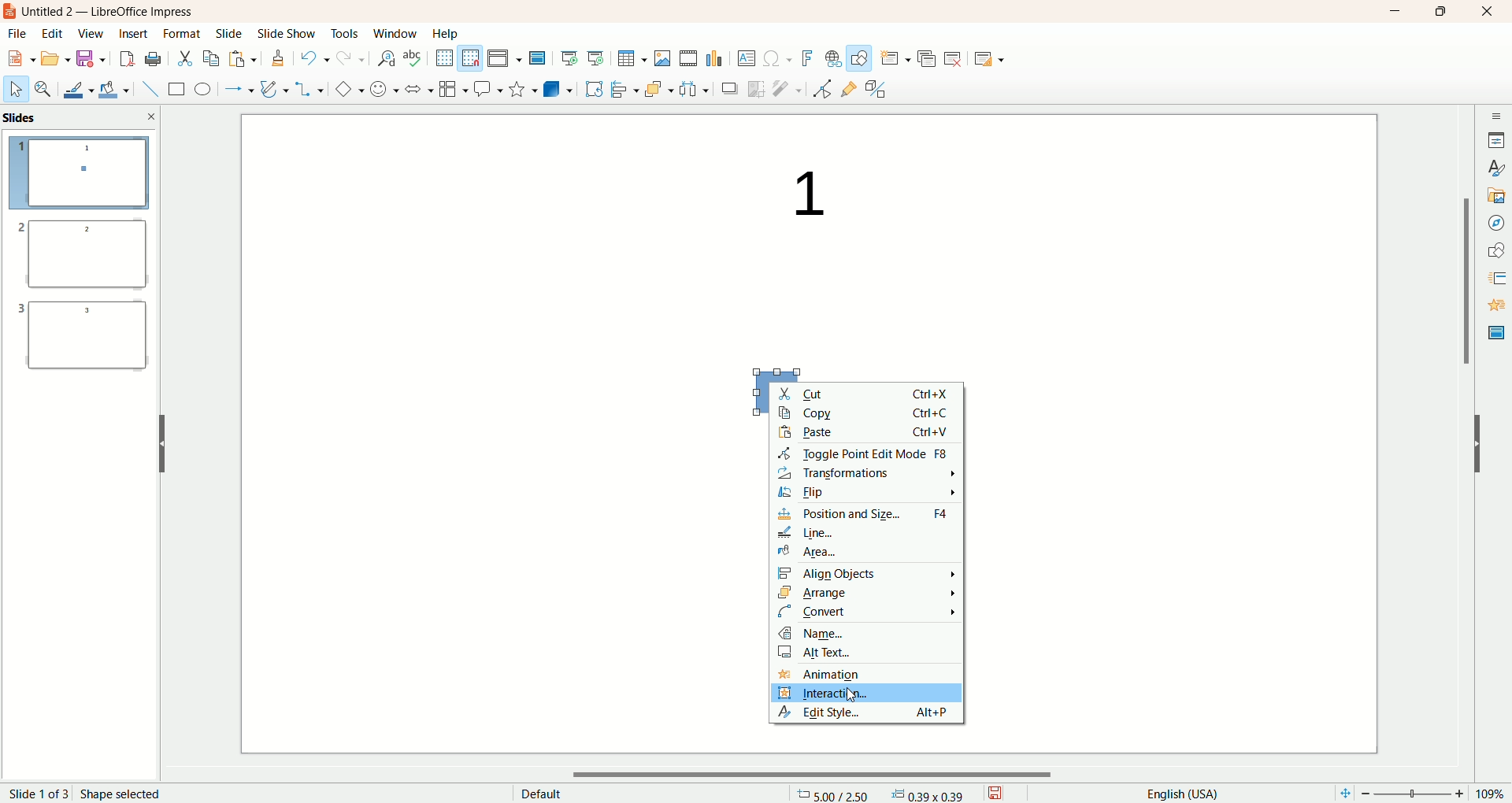  What do you see at coordinates (895, 57) in the screenshot?
I see `new slide` at bounding box center [895, 57].